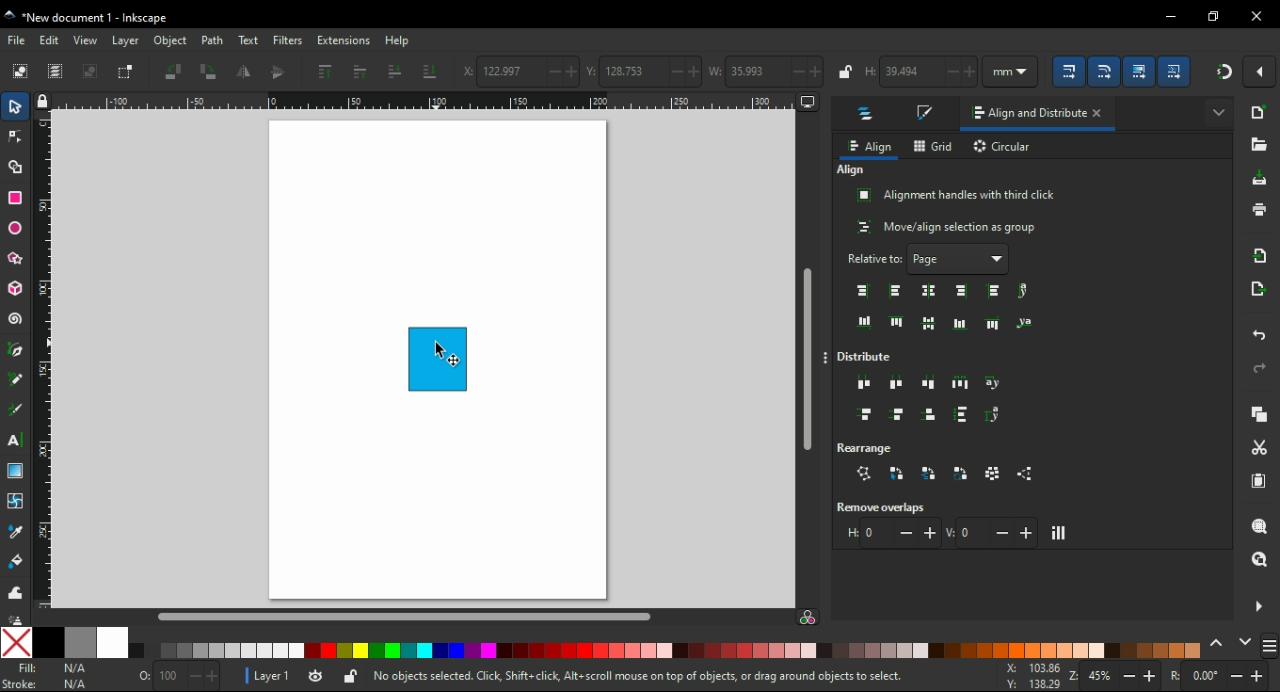 The image size is (1280, 692). What do you see at coordinates (1258, 335) in the screenshot?
I see `undo` at bounding box center [1258, 335].